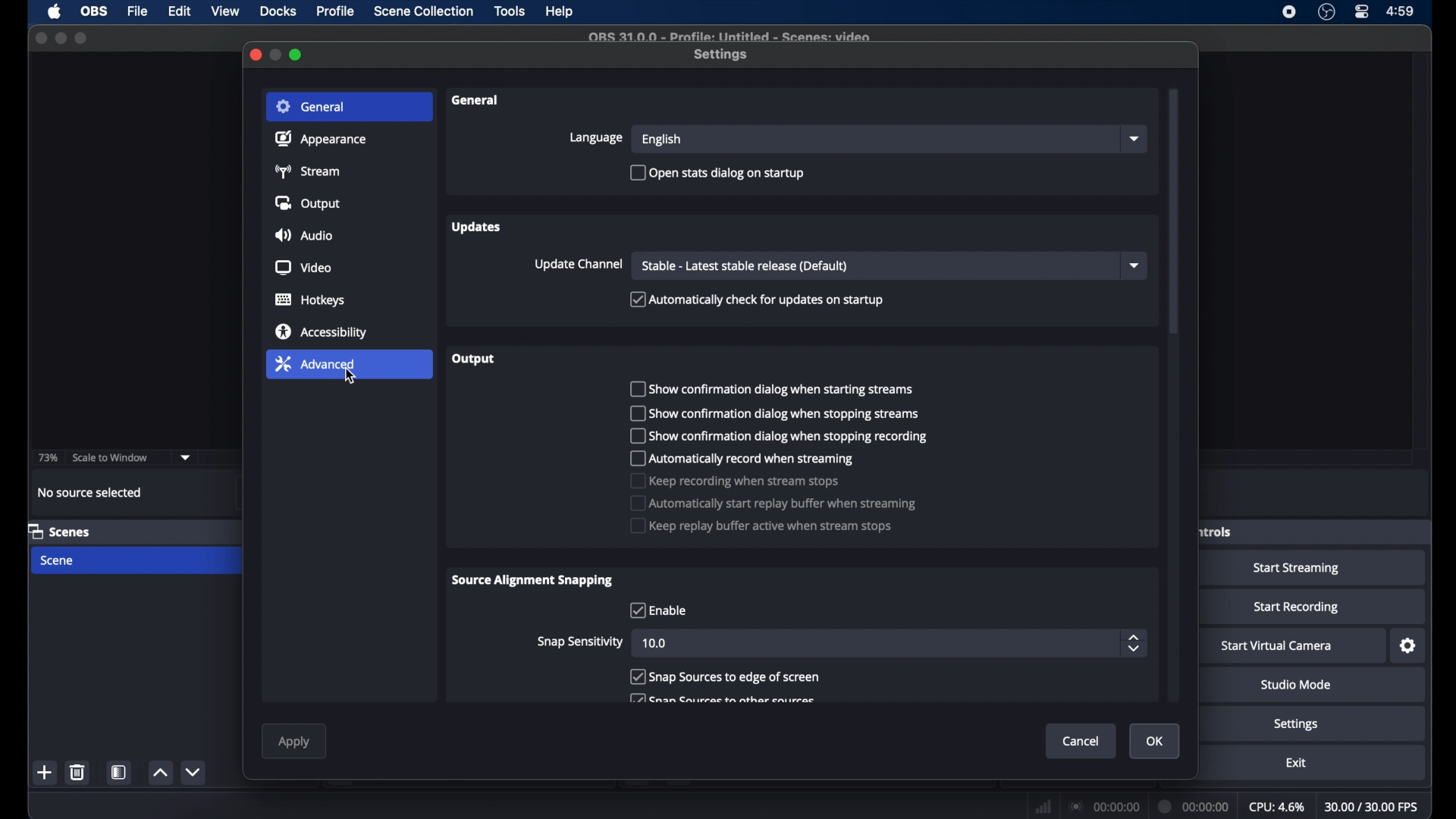 This screenshot has width=1456, height=819. I want to click on OBS 31.0.0 - Profile: Untitled - Scenes: video, so click(733, 36).